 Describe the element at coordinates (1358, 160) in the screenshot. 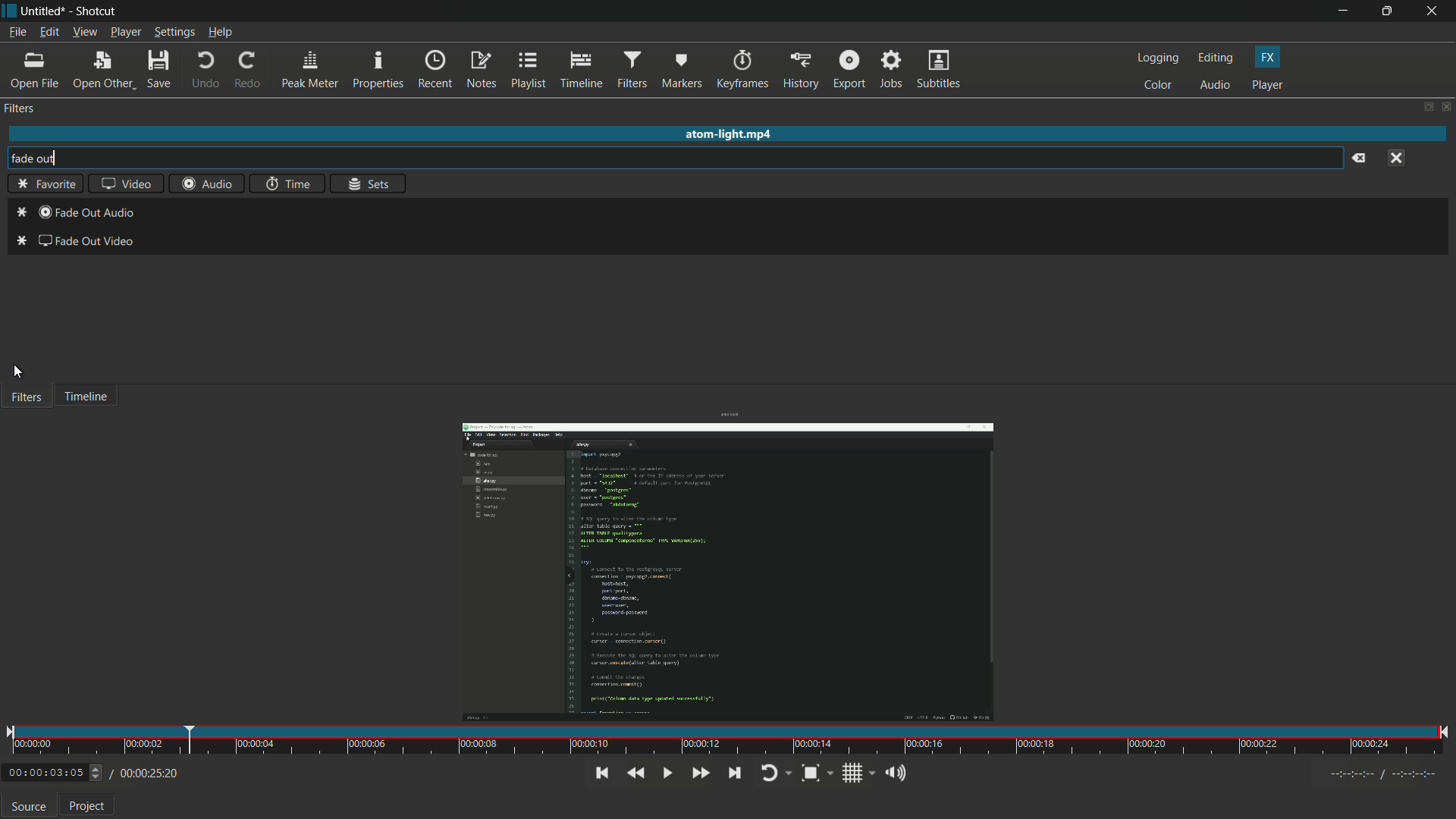

I see `clear search` at that location.